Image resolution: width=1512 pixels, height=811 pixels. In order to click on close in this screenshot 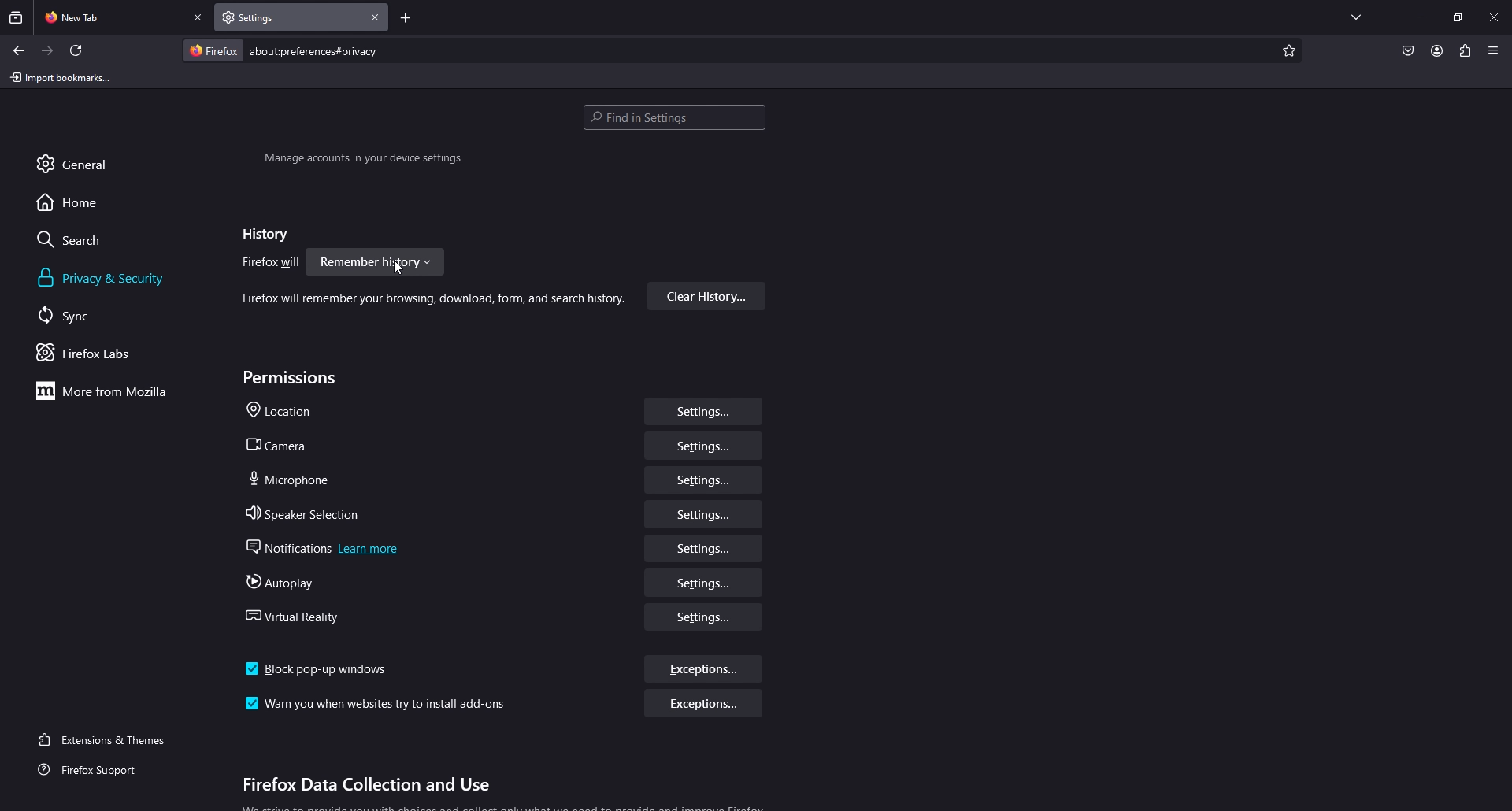, I will do `click(1495, 16)`.